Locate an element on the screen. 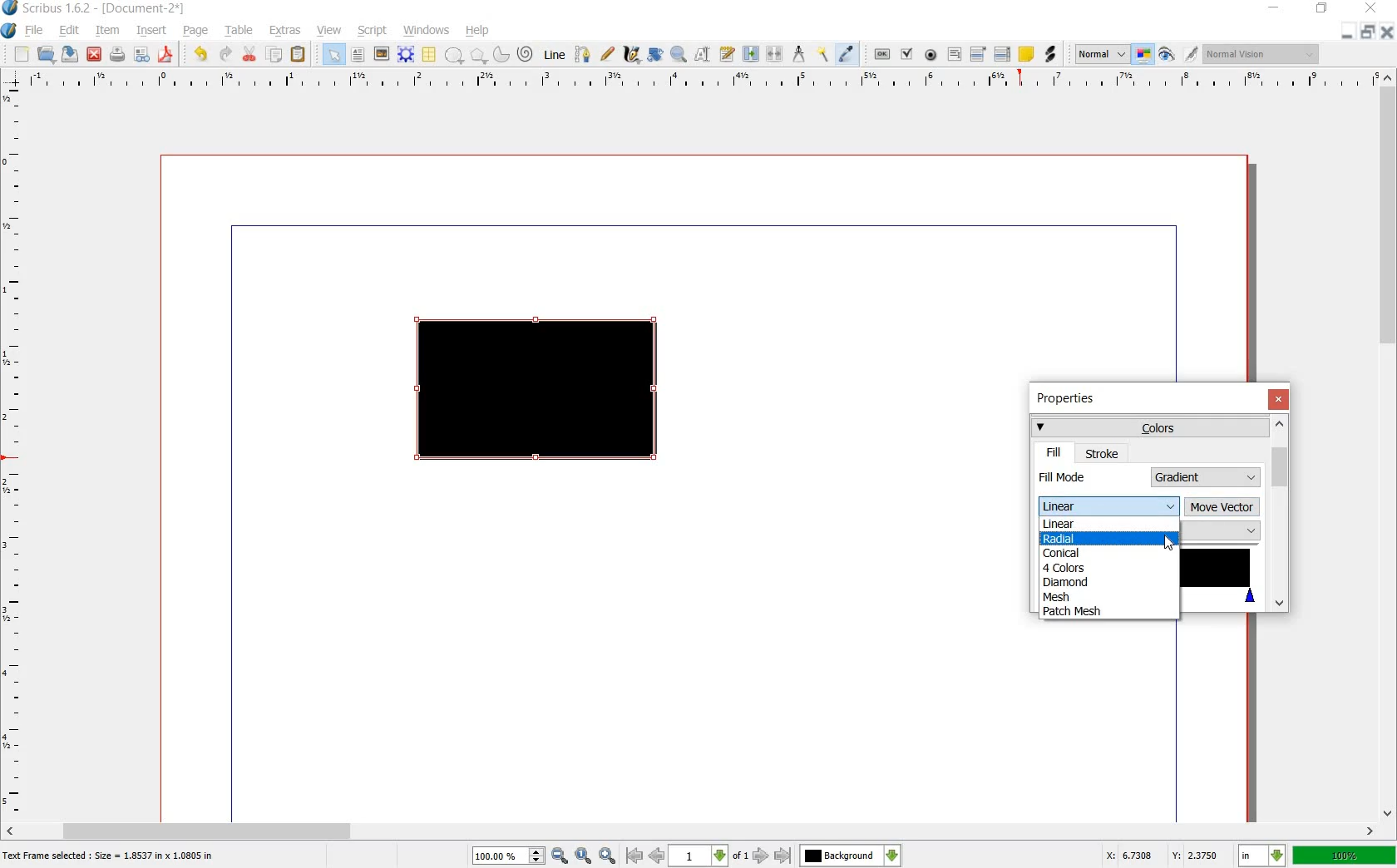 The height and width of the screenshot is (868, 1397). edit is located at coordinates (70, 31).